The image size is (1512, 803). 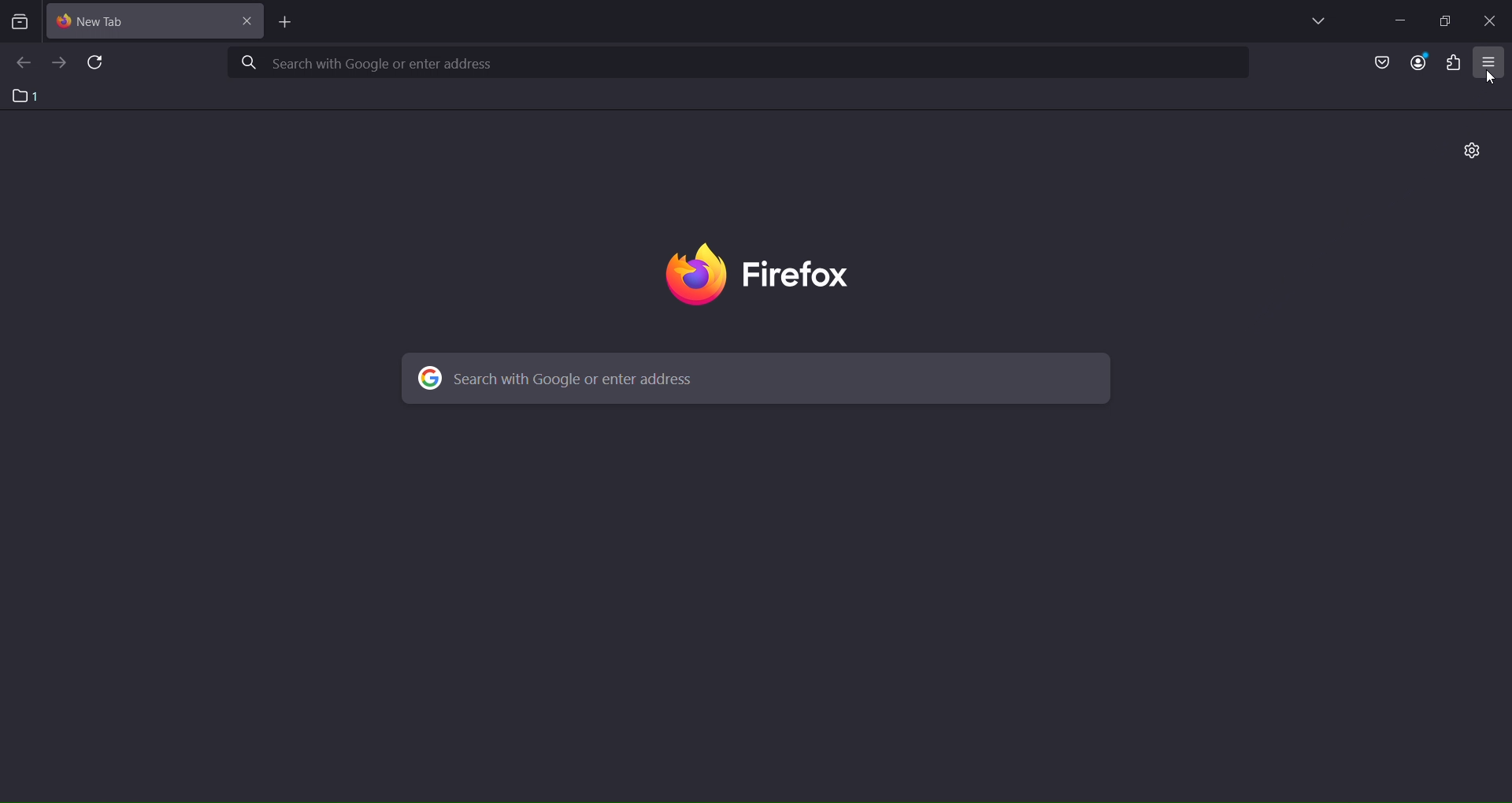 What do you see at coordinates (374, 67) in the screenshot?
I see `A Search with Google or enter address` at bounding box center [374, 67].